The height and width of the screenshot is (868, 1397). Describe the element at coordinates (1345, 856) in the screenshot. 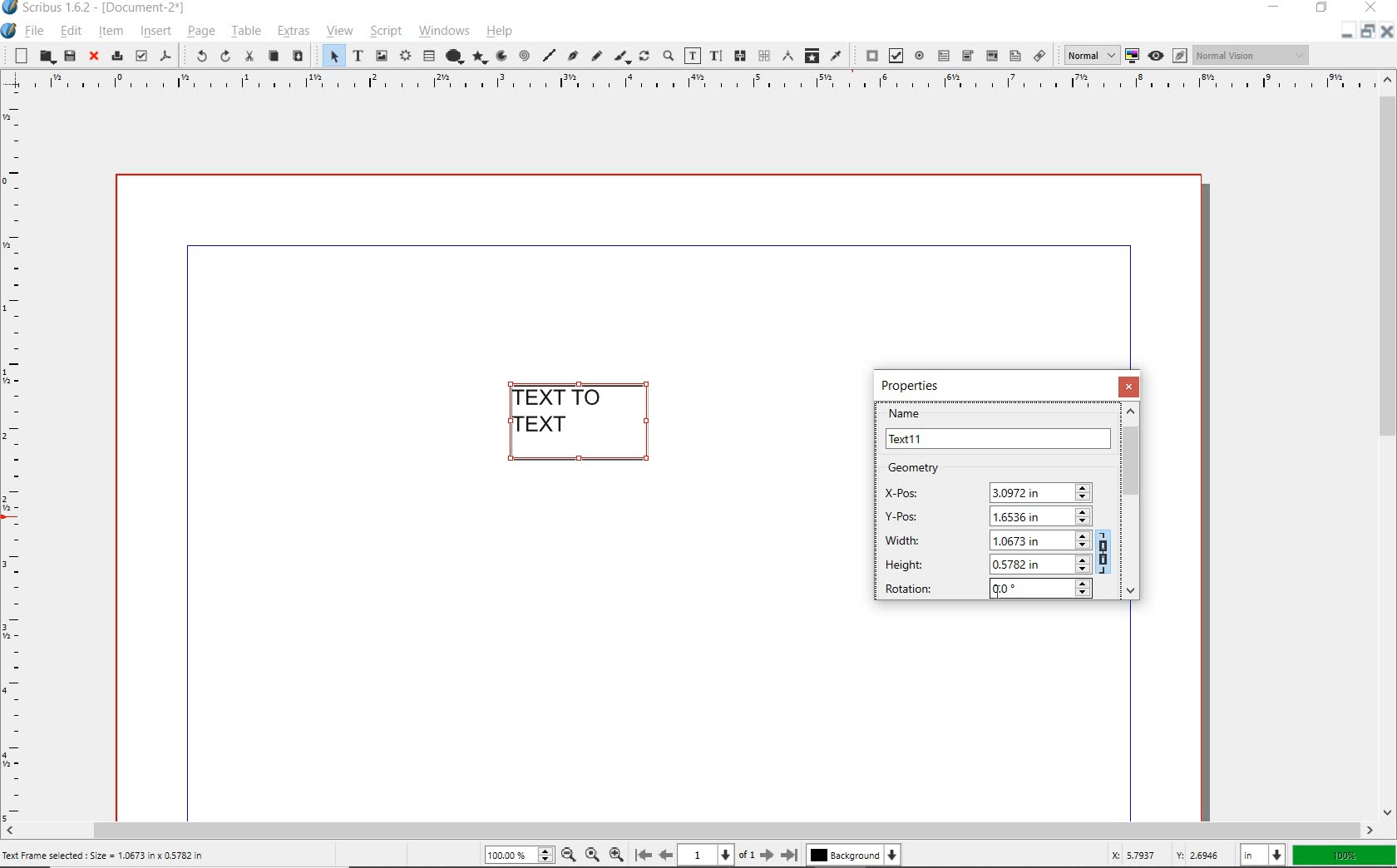

I see `zoom factor` at that location.